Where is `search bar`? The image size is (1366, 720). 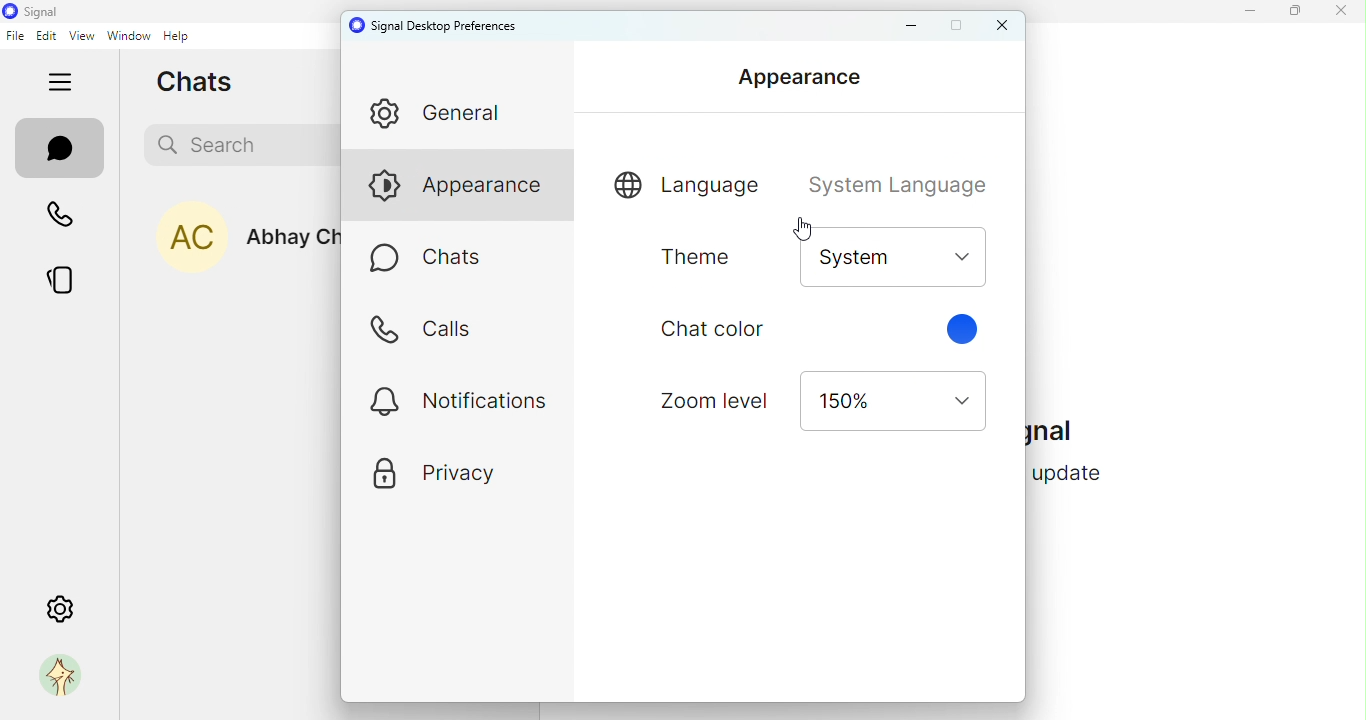
search bar is located at coordinates (229, 145).